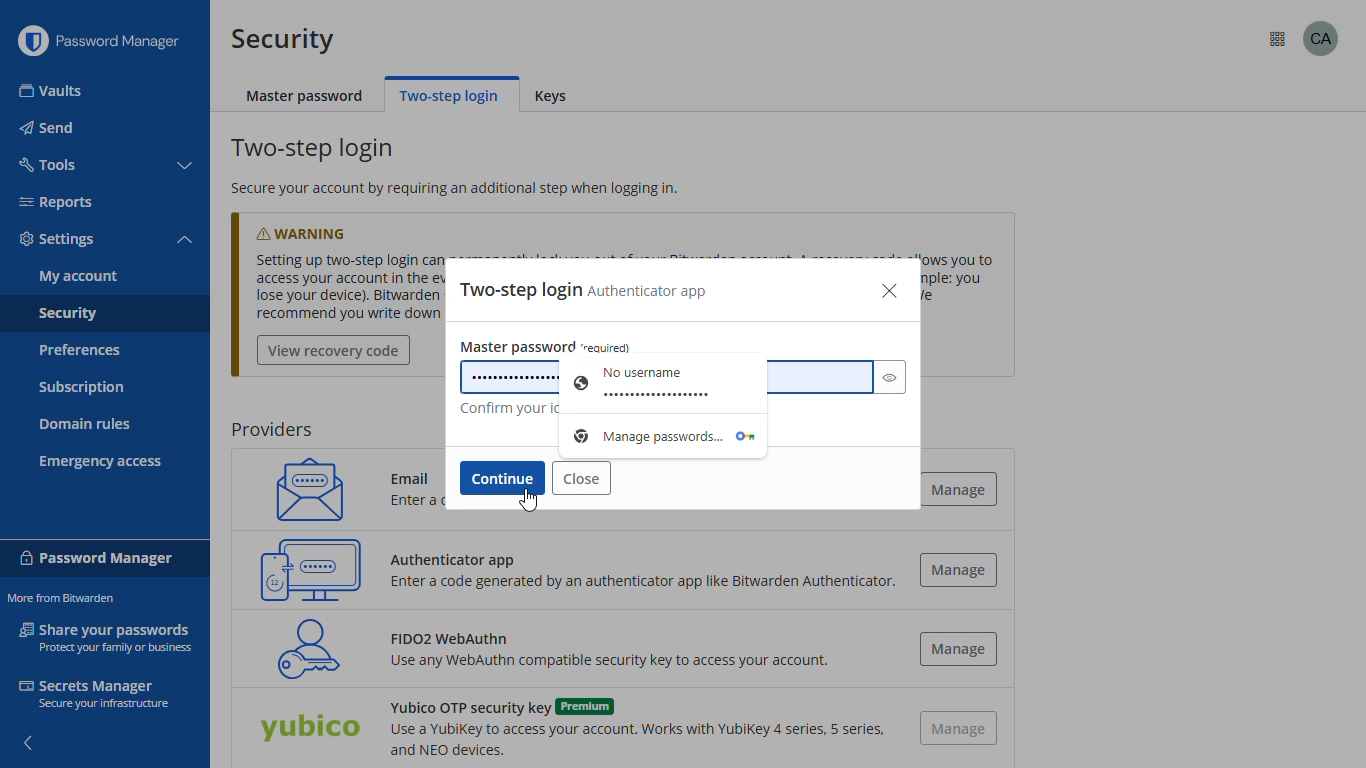 The image size is (1366, 768). What do you see at coordinates (101, 462) in the screenshot?
I see `emergency access` at bounding box center [101, 462].